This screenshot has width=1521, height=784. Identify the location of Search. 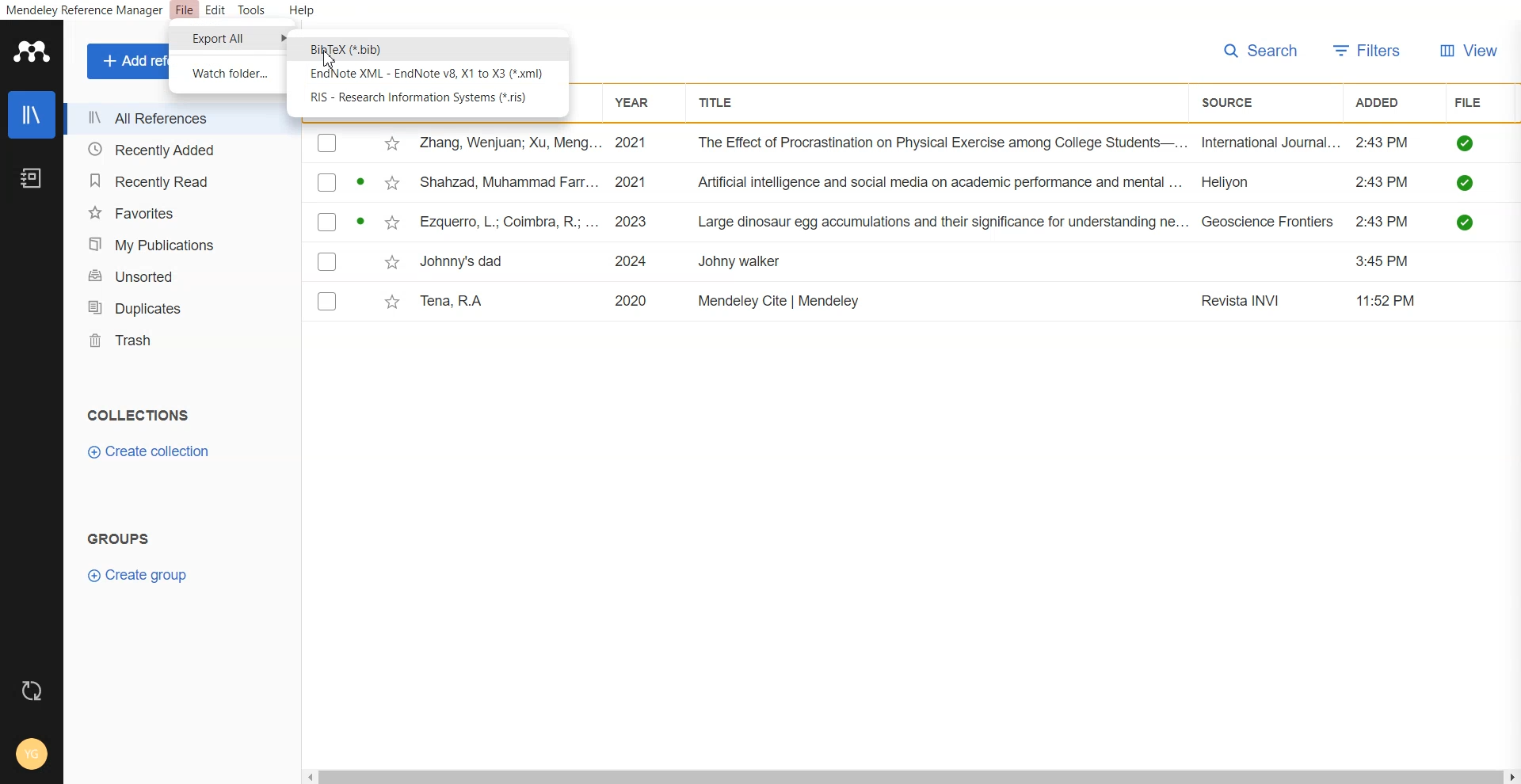
(1261, 51).